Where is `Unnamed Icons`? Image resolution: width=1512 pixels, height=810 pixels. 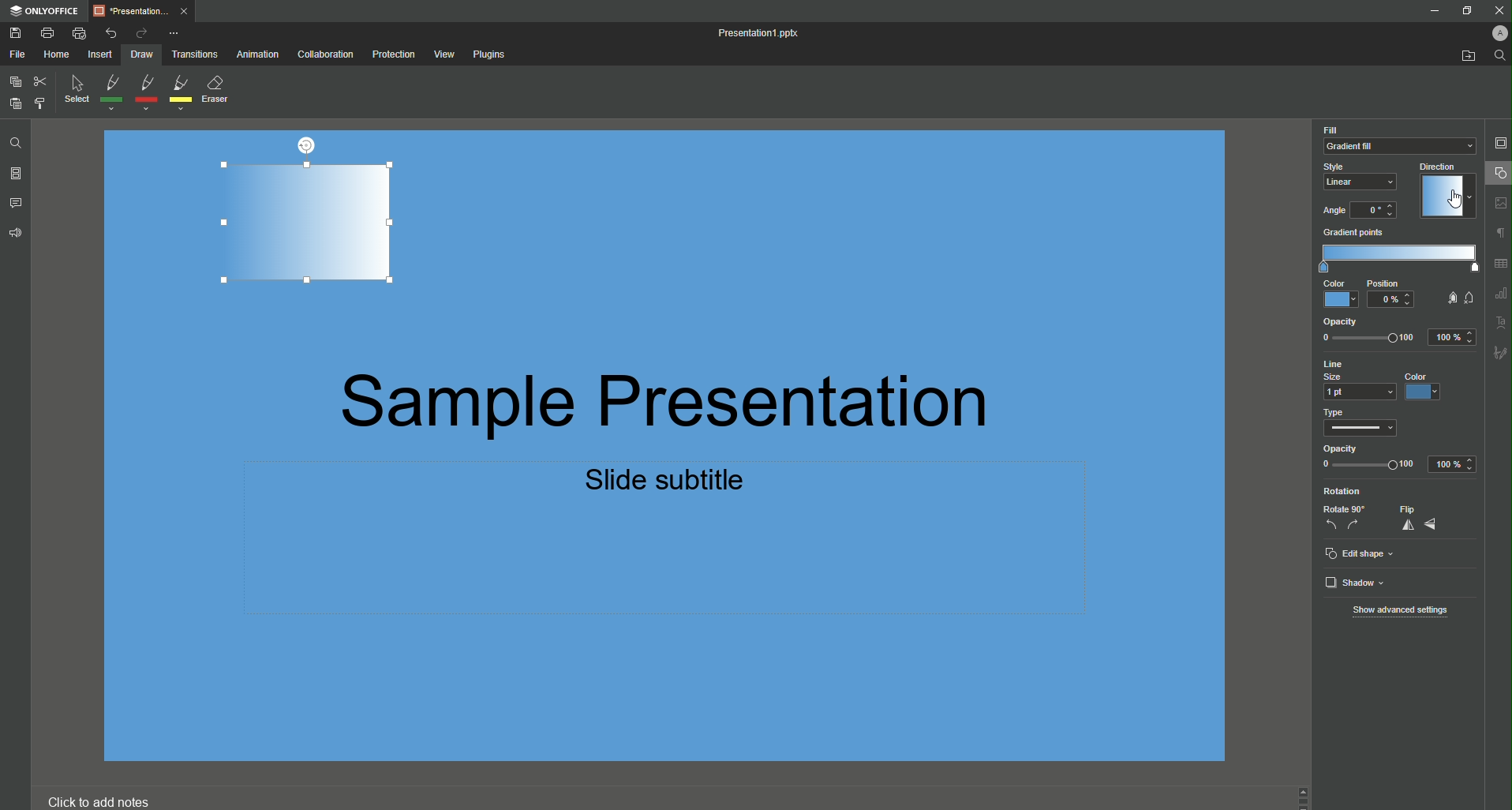
Unnamed Icons is located at coordinates (1499, 278).